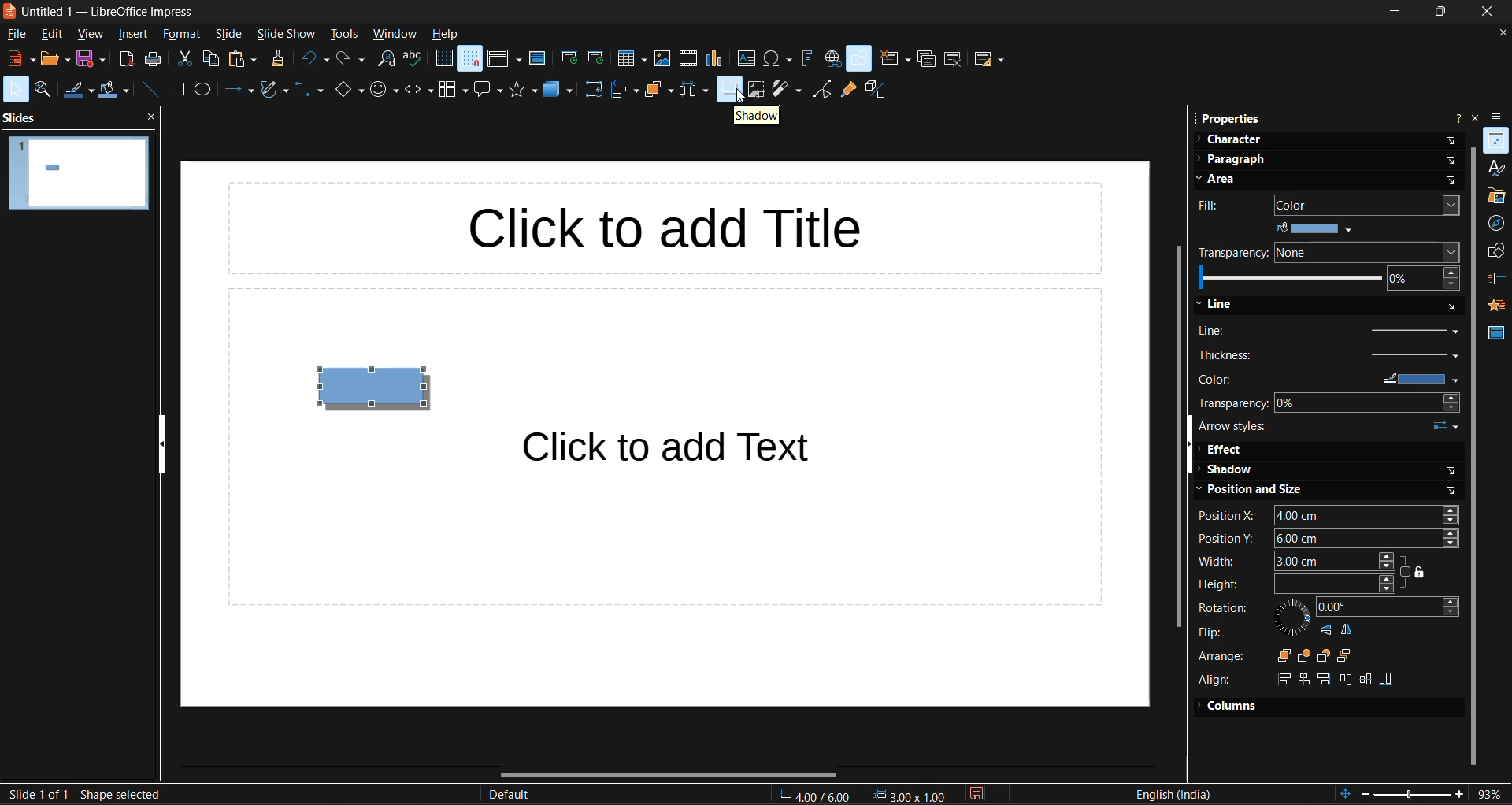 The height and width of the screenshot is (805, 1512). I want to click on height, so click(1297, 584).